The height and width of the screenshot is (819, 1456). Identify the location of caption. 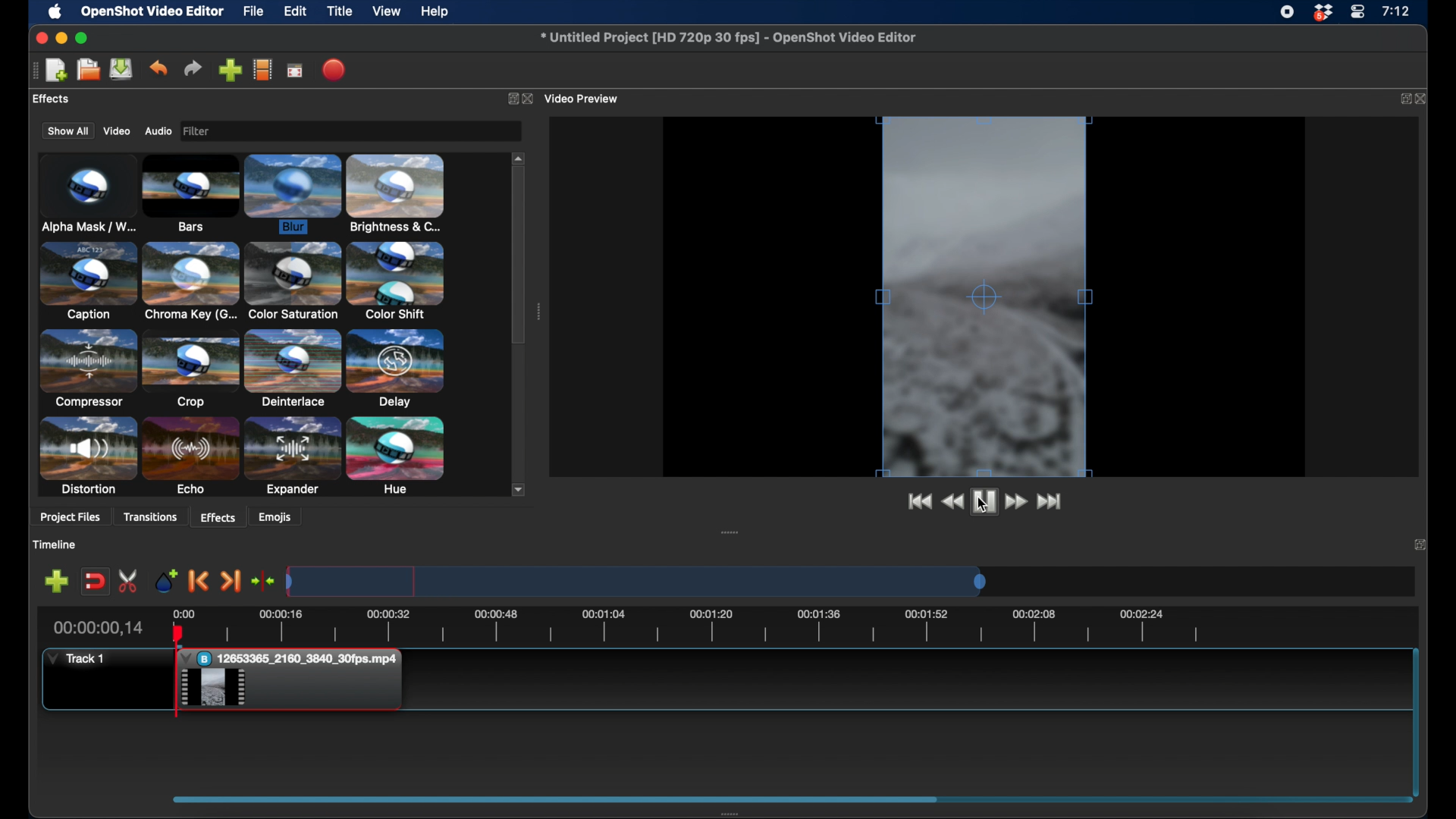
(87, 281).